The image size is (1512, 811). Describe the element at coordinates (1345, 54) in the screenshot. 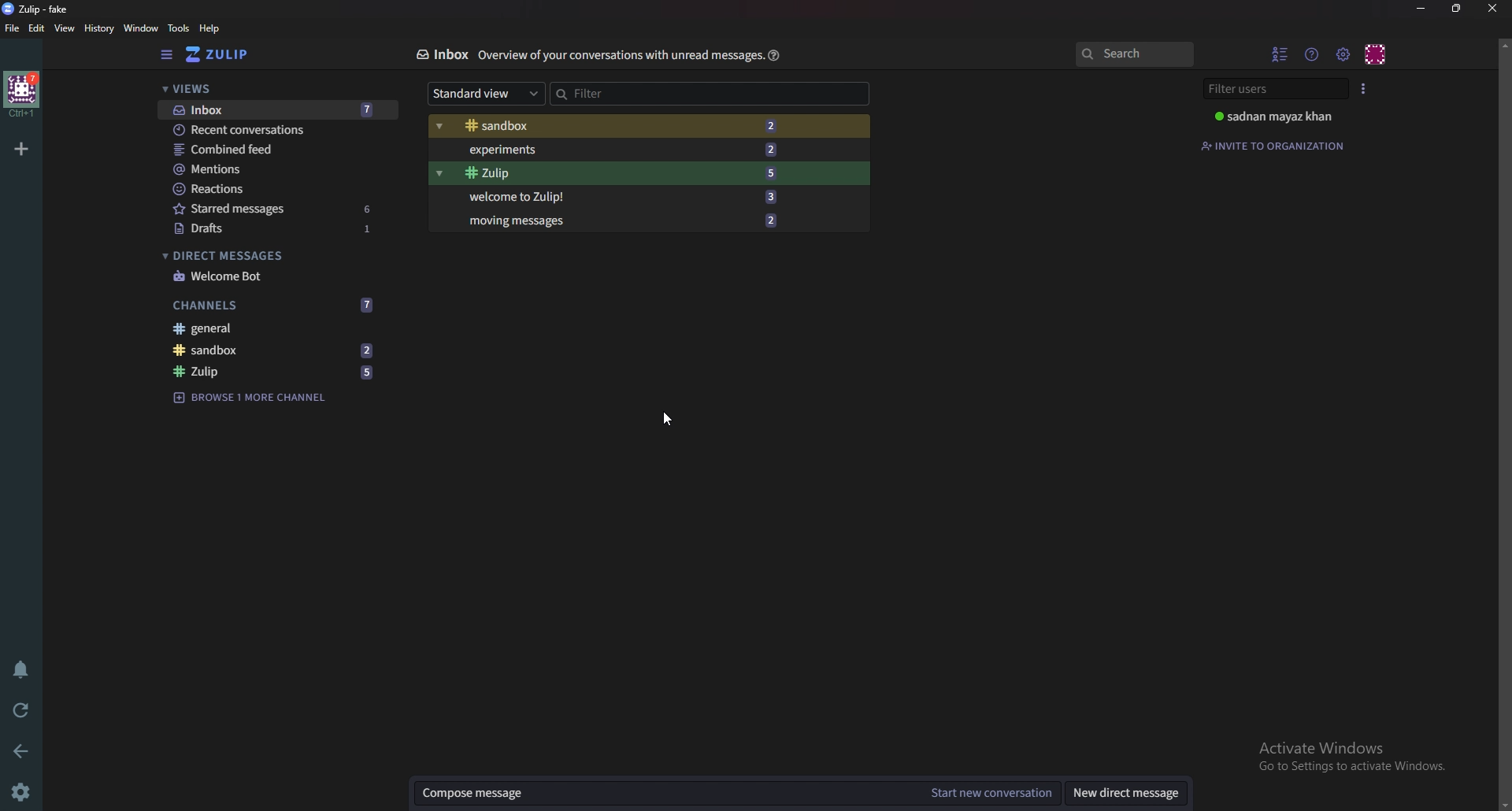

I see `Main menu` at that location.